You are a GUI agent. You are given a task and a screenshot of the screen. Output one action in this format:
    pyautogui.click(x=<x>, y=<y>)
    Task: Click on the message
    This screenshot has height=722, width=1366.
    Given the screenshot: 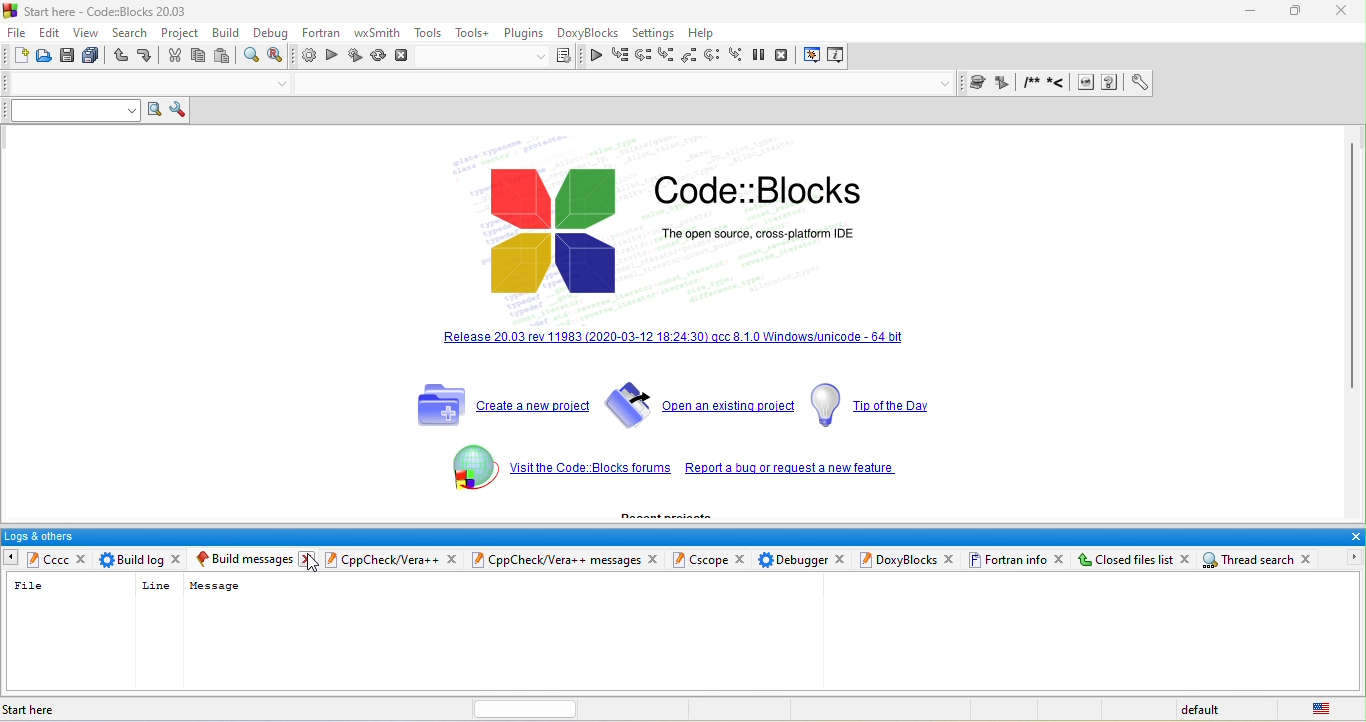 What is the action you would take?
    pyautogui.click(x=214, y=586)
    